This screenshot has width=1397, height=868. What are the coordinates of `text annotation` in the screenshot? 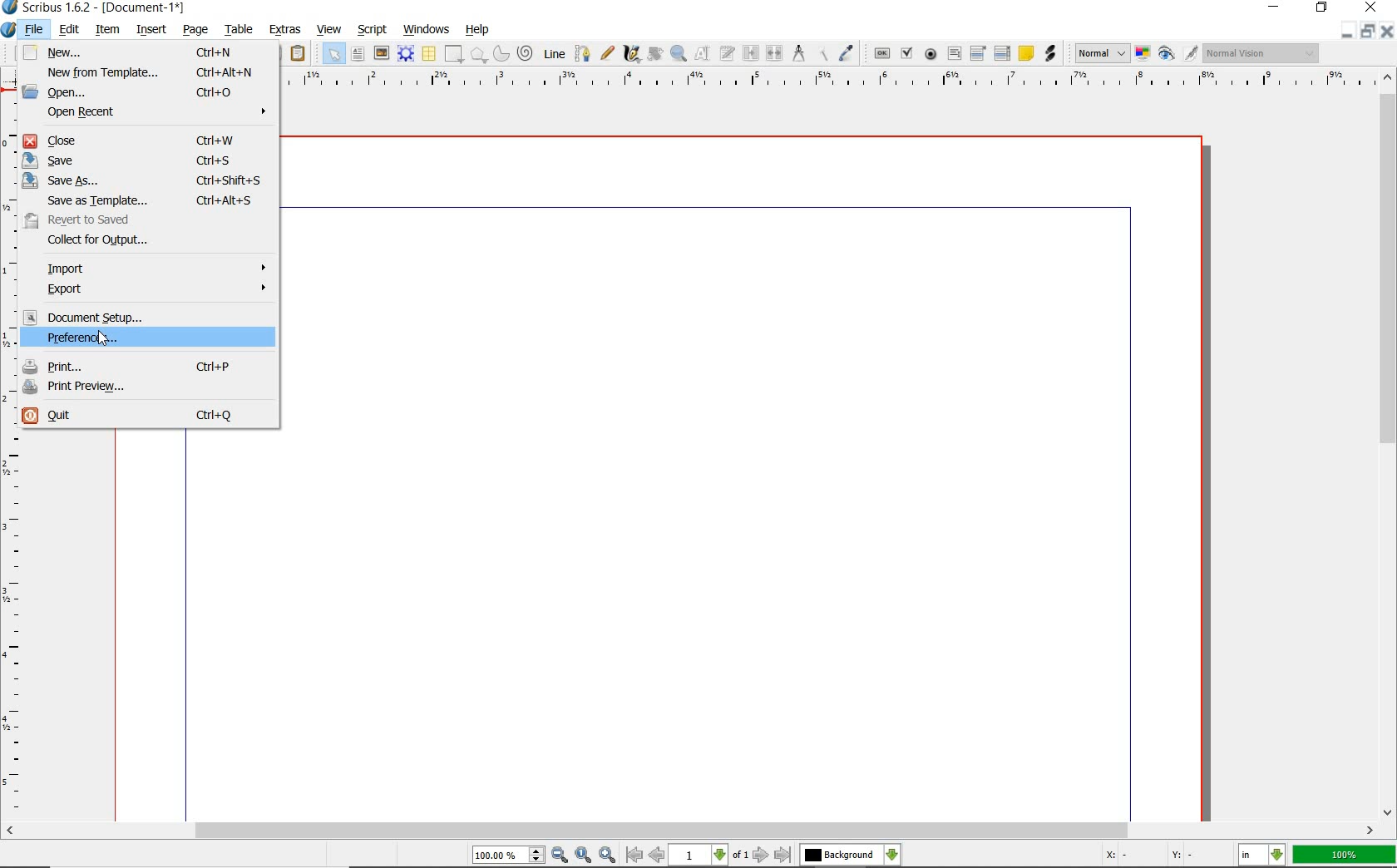 It's located at (1025, 54).